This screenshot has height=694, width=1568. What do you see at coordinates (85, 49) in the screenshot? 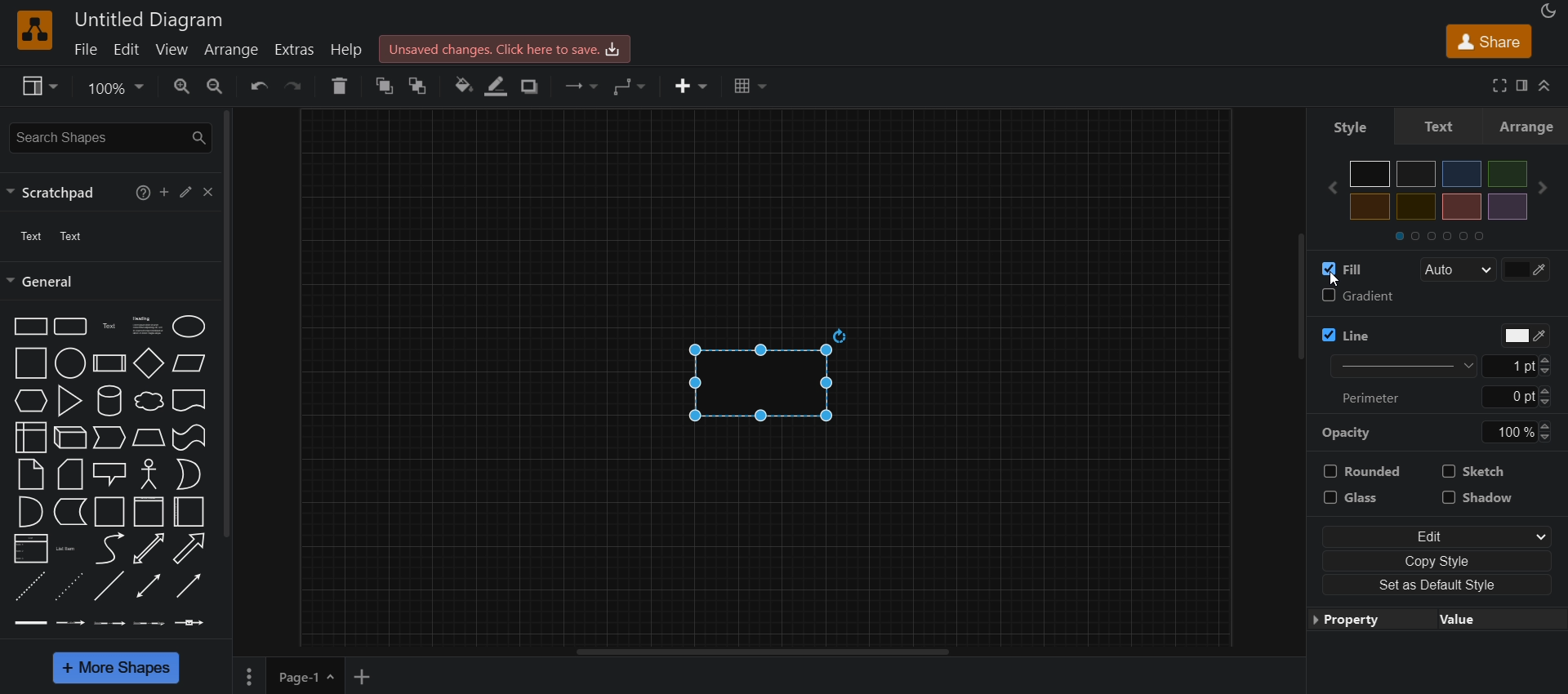
I see `file` at bounding box center [85, 49].